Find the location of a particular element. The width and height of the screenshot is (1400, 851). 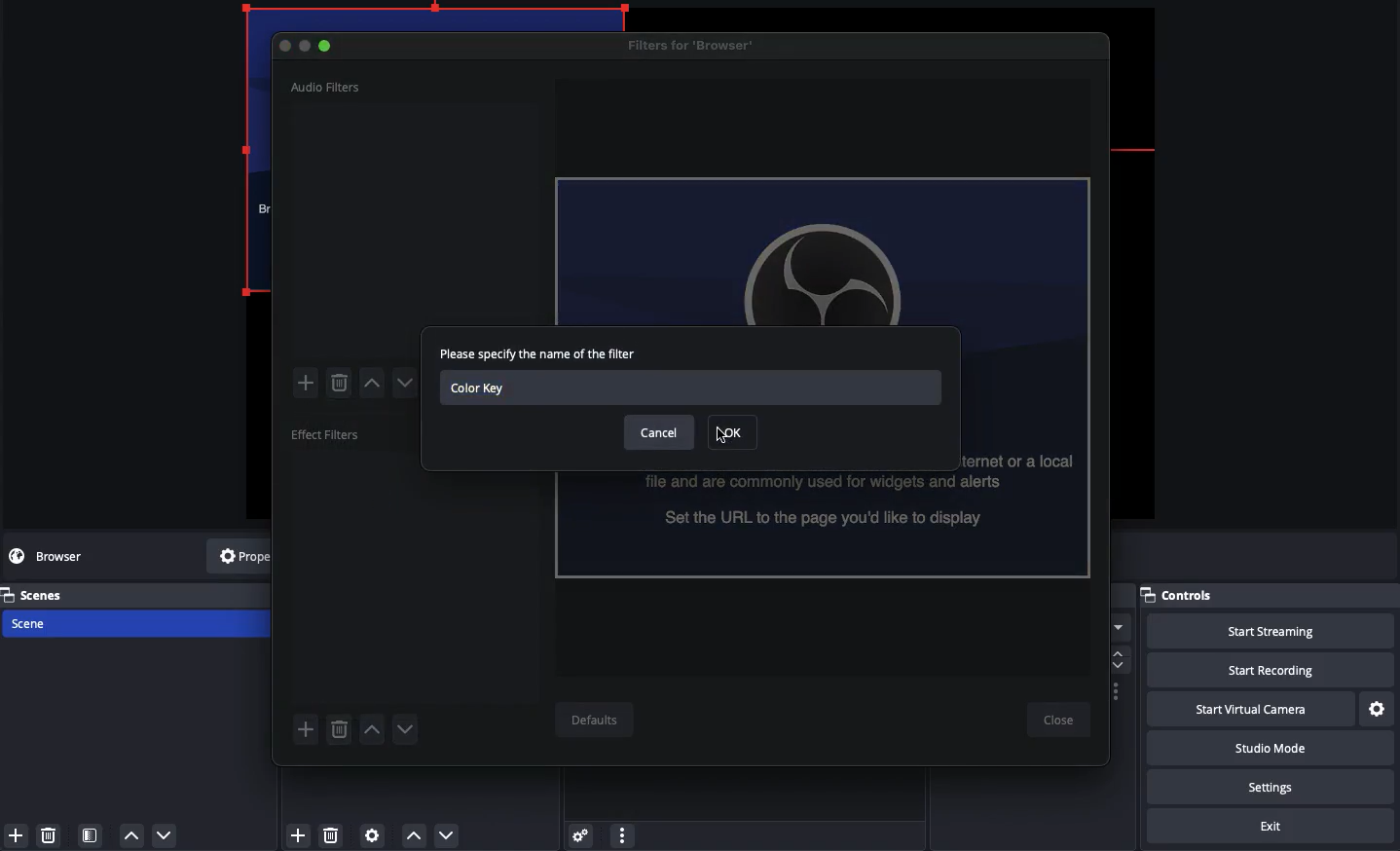

Scene filter is located at coordinates (92, 835).